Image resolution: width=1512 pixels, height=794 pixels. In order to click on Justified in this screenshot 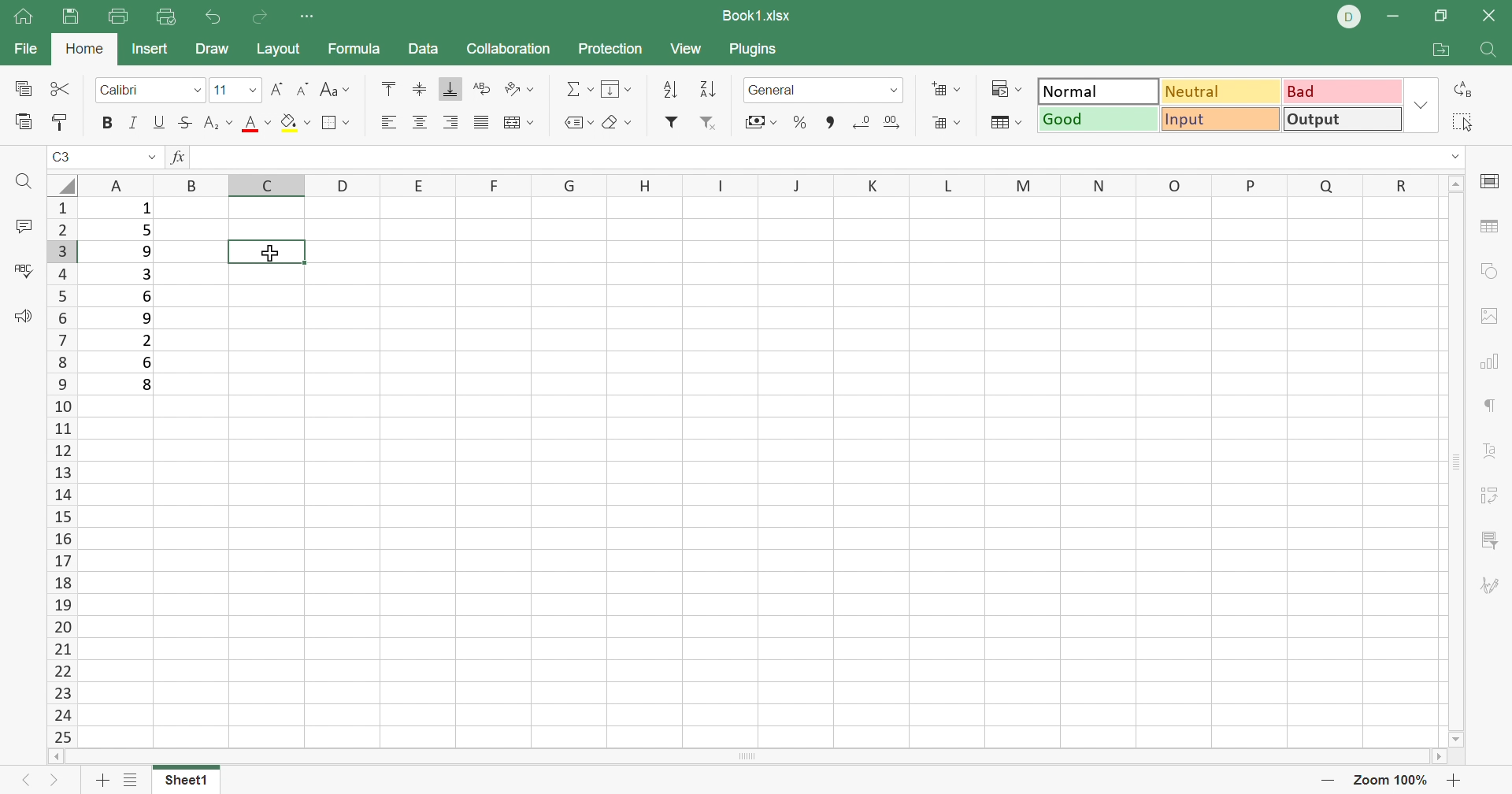, I will do `click(481, 122)`.